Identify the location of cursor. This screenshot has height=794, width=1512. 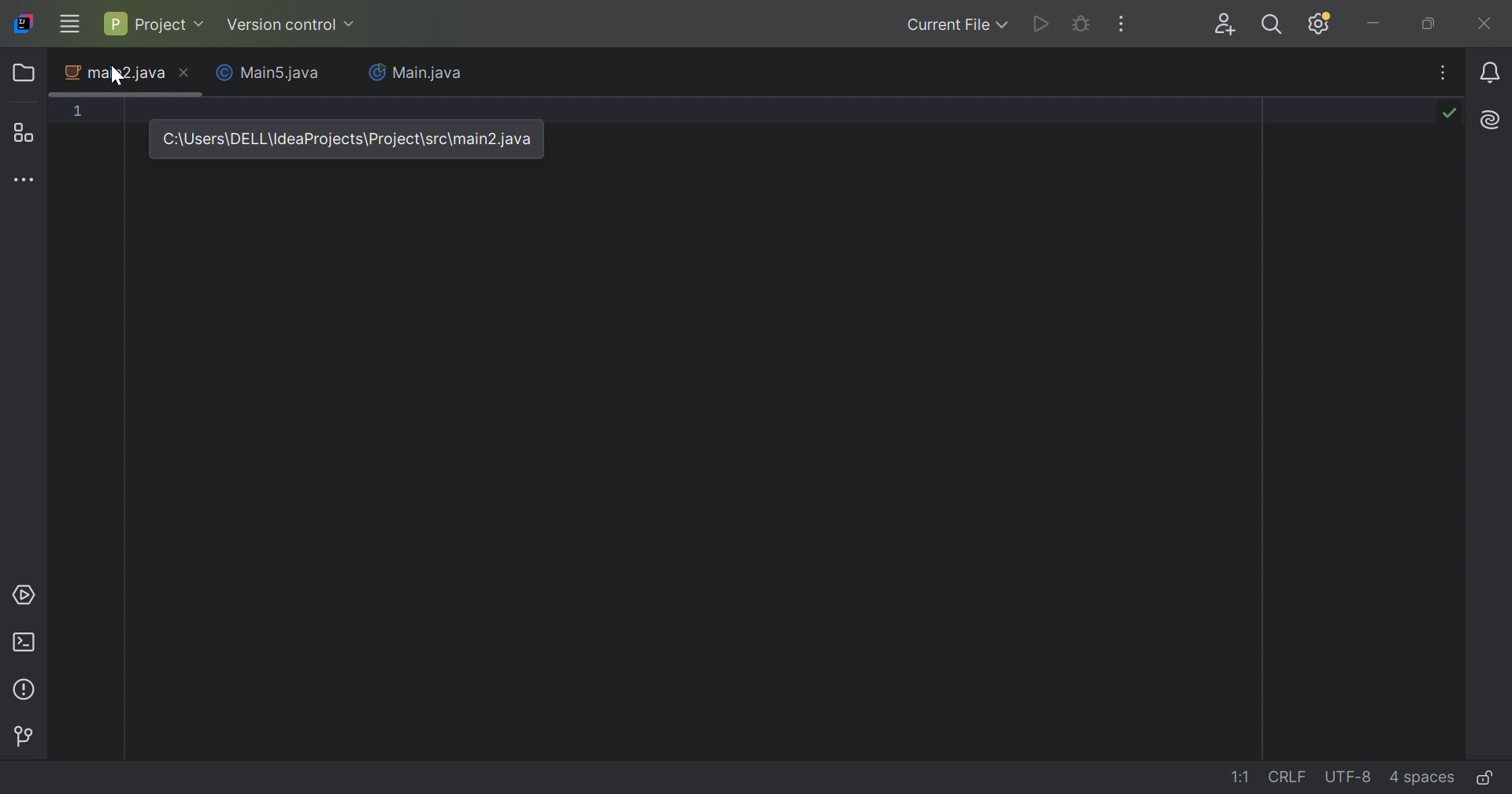
(117, 78).